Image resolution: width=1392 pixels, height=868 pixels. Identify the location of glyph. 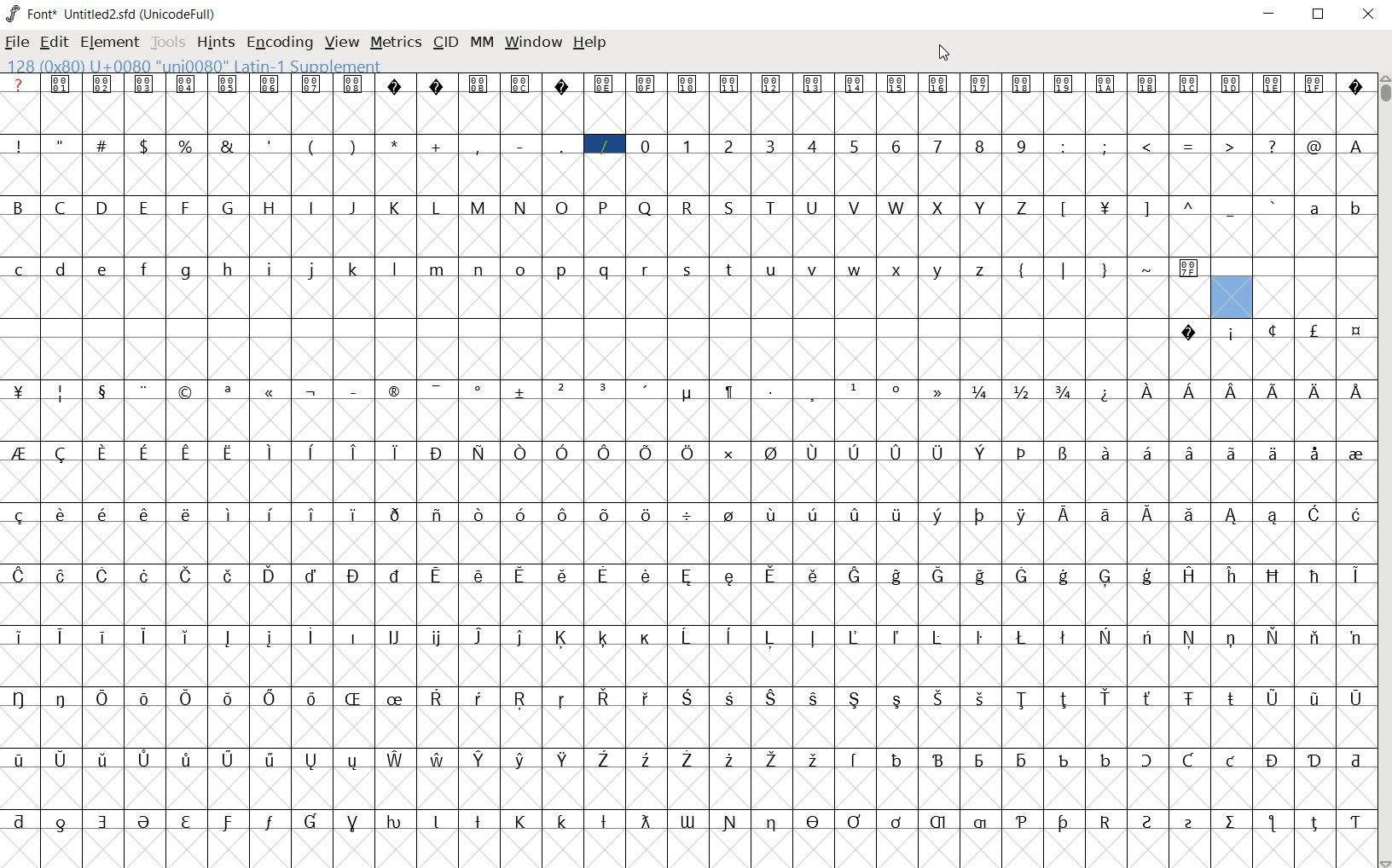
(1022, 822).